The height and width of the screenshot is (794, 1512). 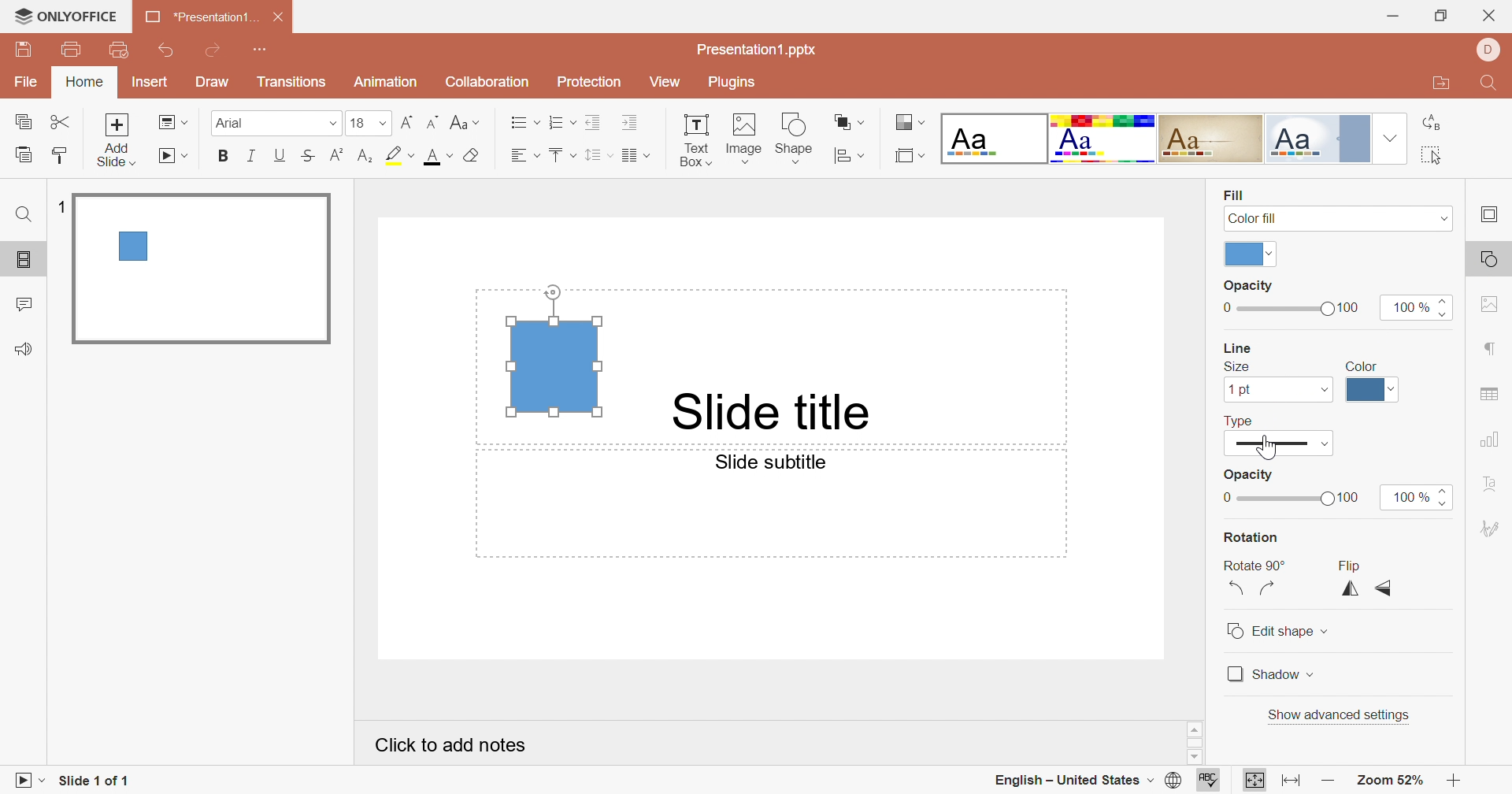 What do you see at coordinates (592, 82) in the screenshot?
I see `Protection` at bounding box center [592, 82].